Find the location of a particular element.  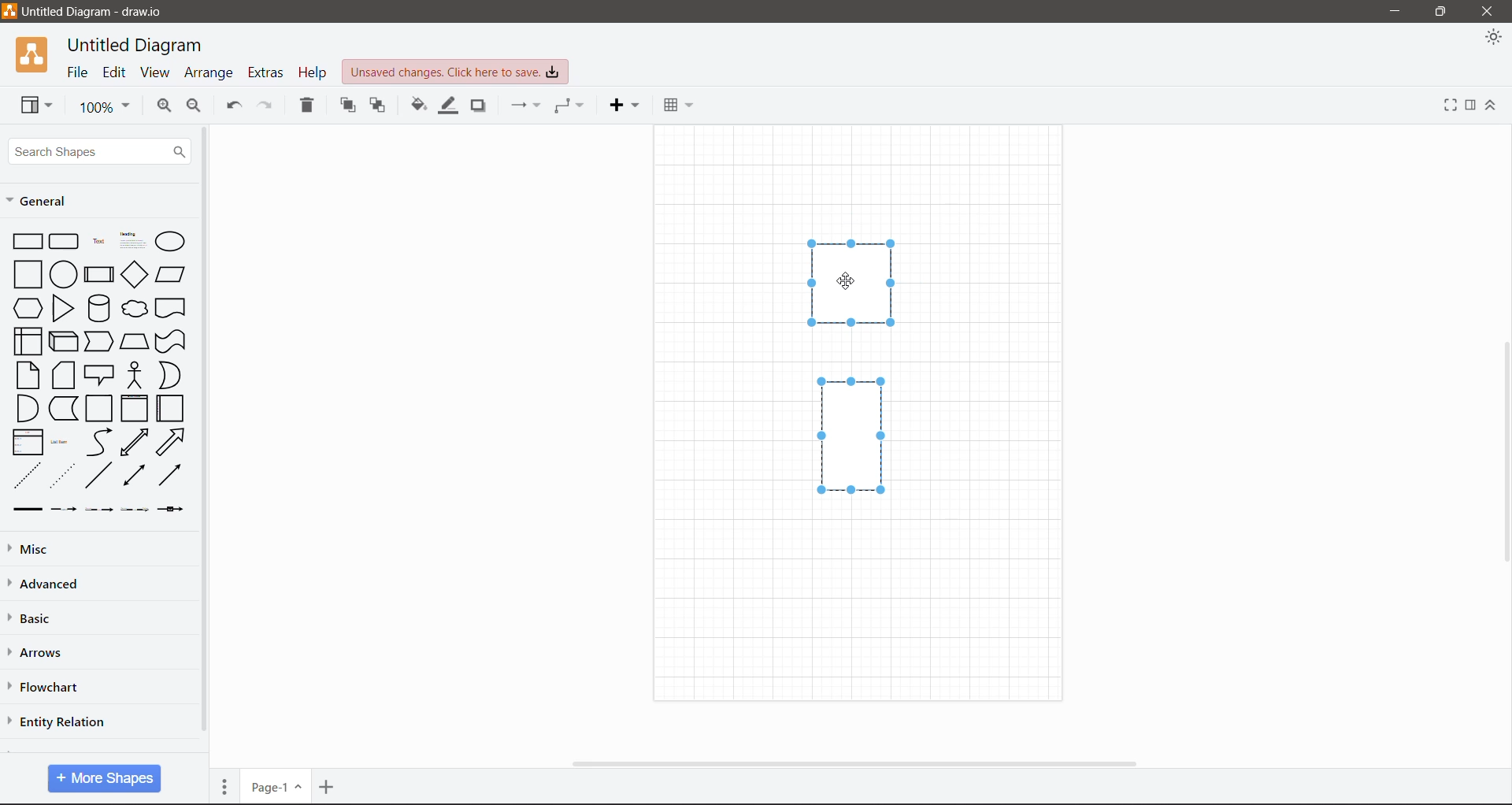

Edit is located at coordinates (115, 73).